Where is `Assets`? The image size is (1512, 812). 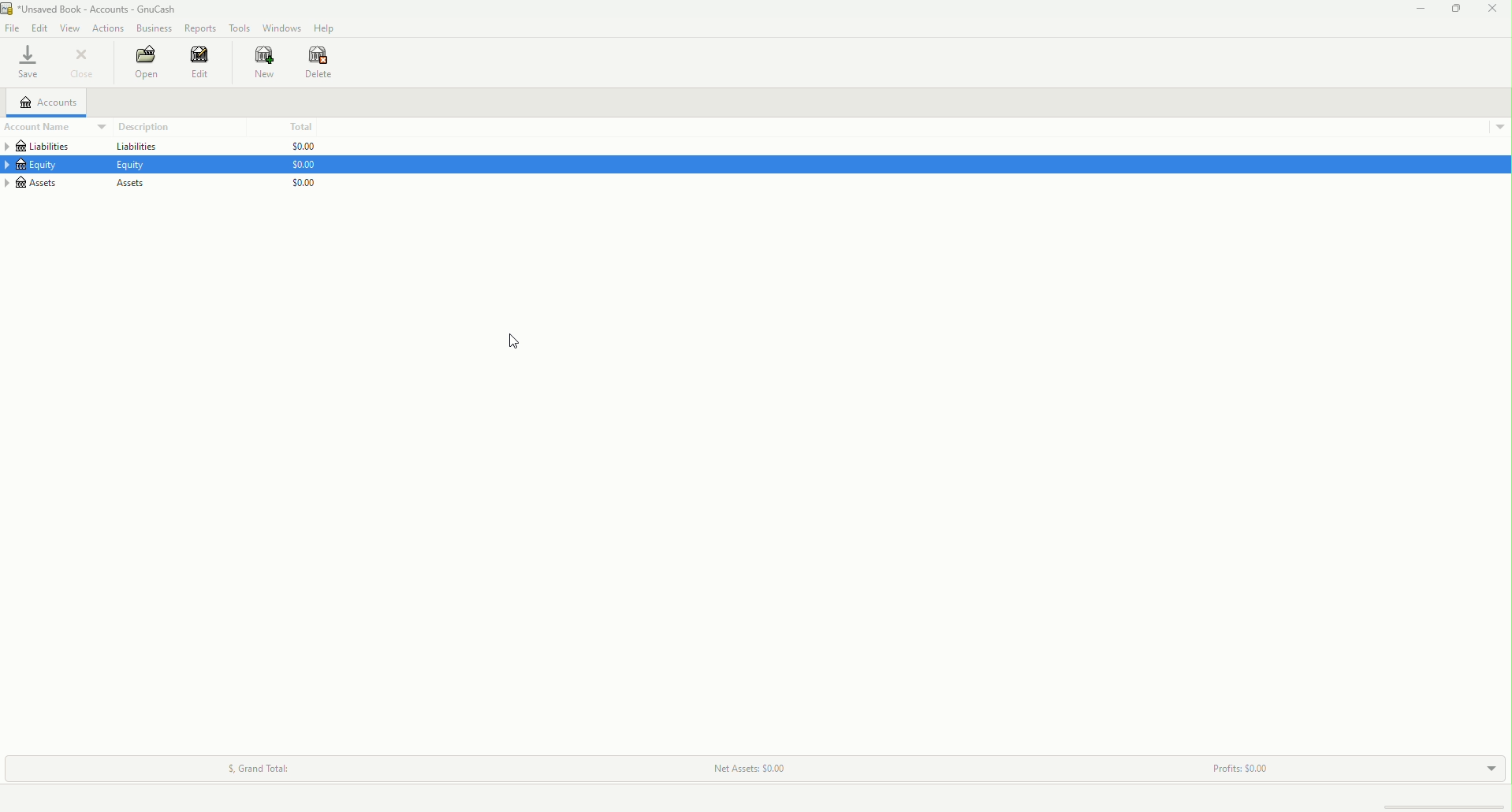 Assets is located at coordinates (46, 182).